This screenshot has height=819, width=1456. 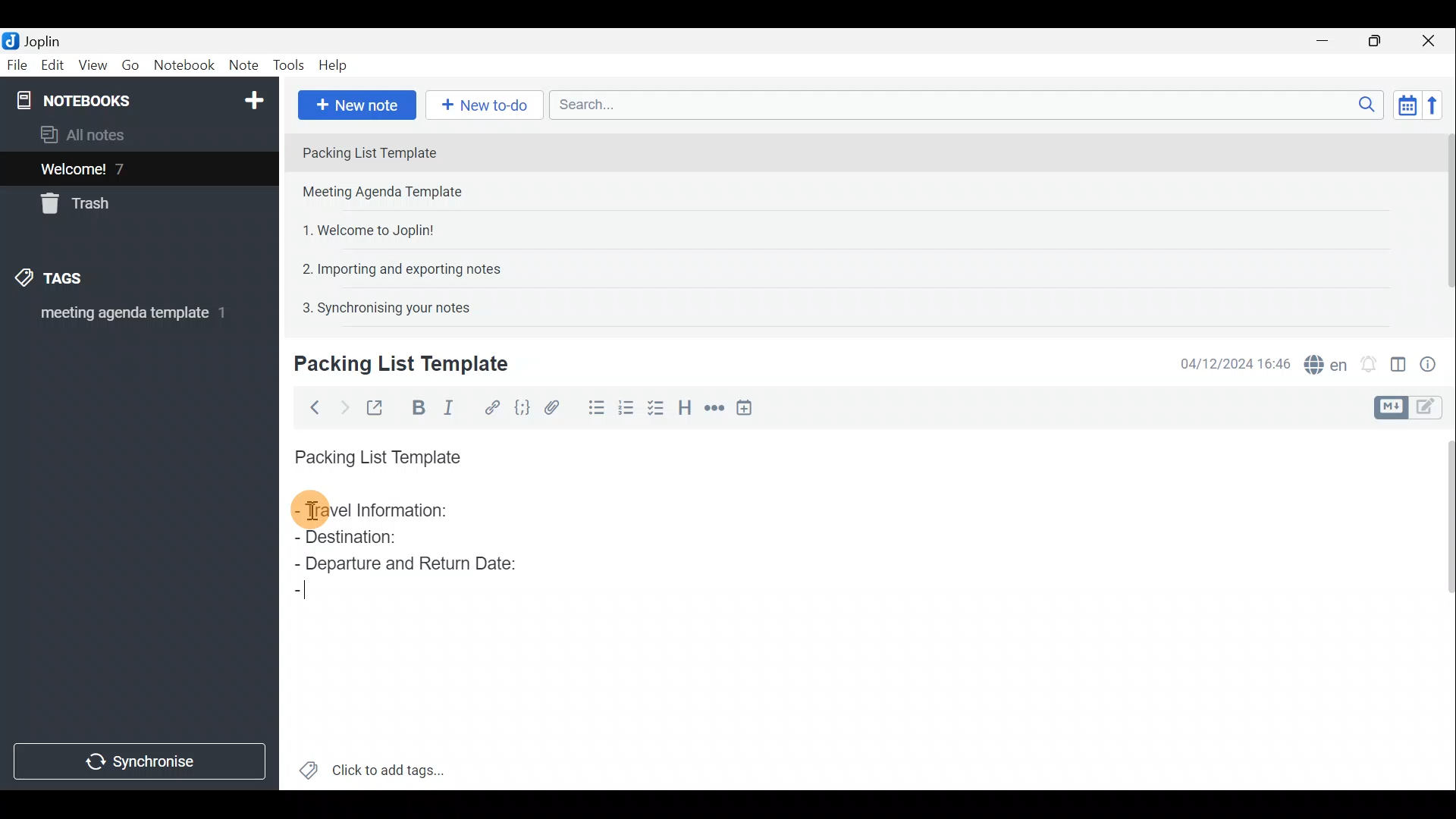 I want to click on Code, so click(x=522, y=406).